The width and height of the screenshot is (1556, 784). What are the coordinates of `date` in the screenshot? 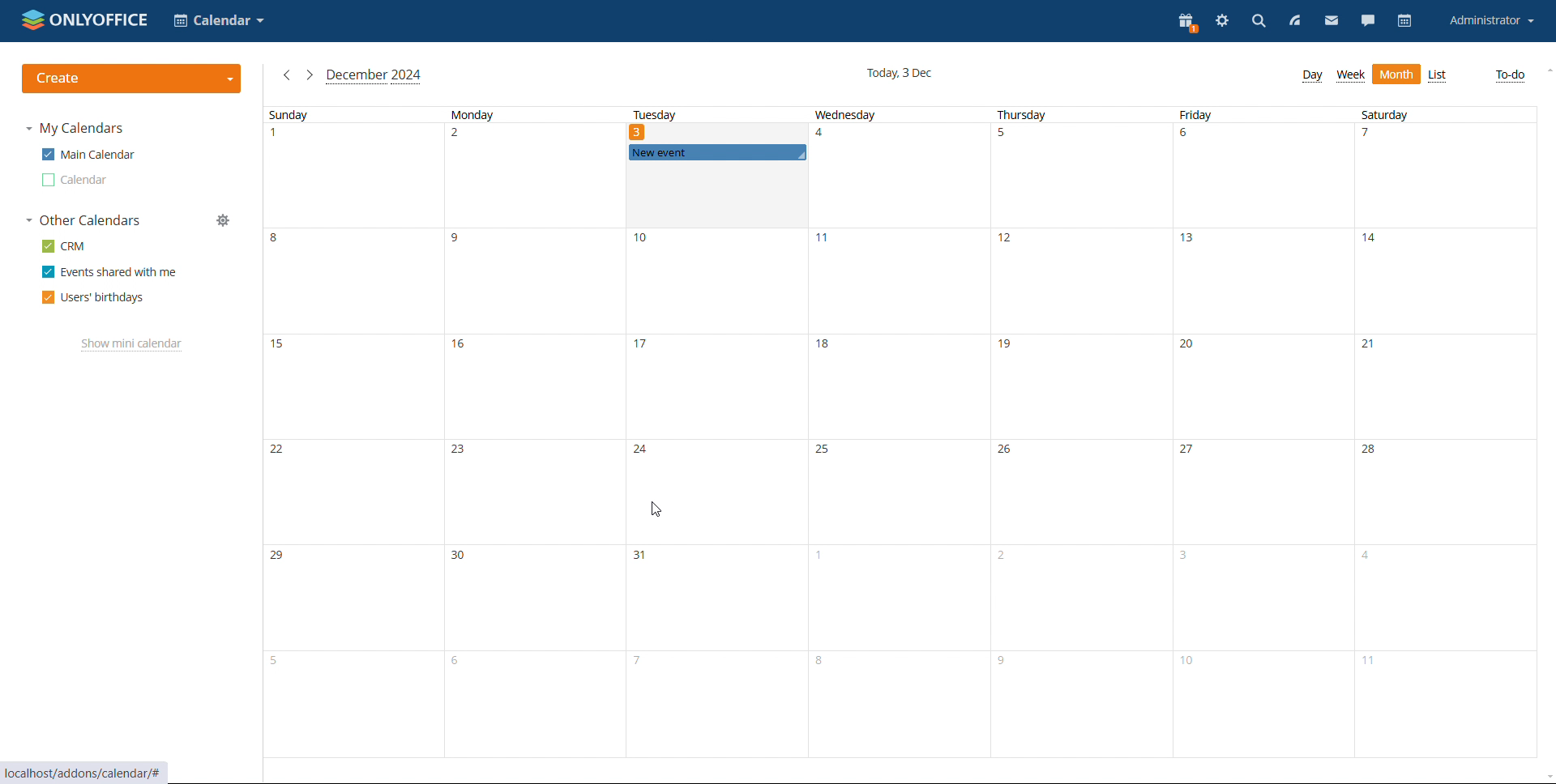 It's located at (904, 596).